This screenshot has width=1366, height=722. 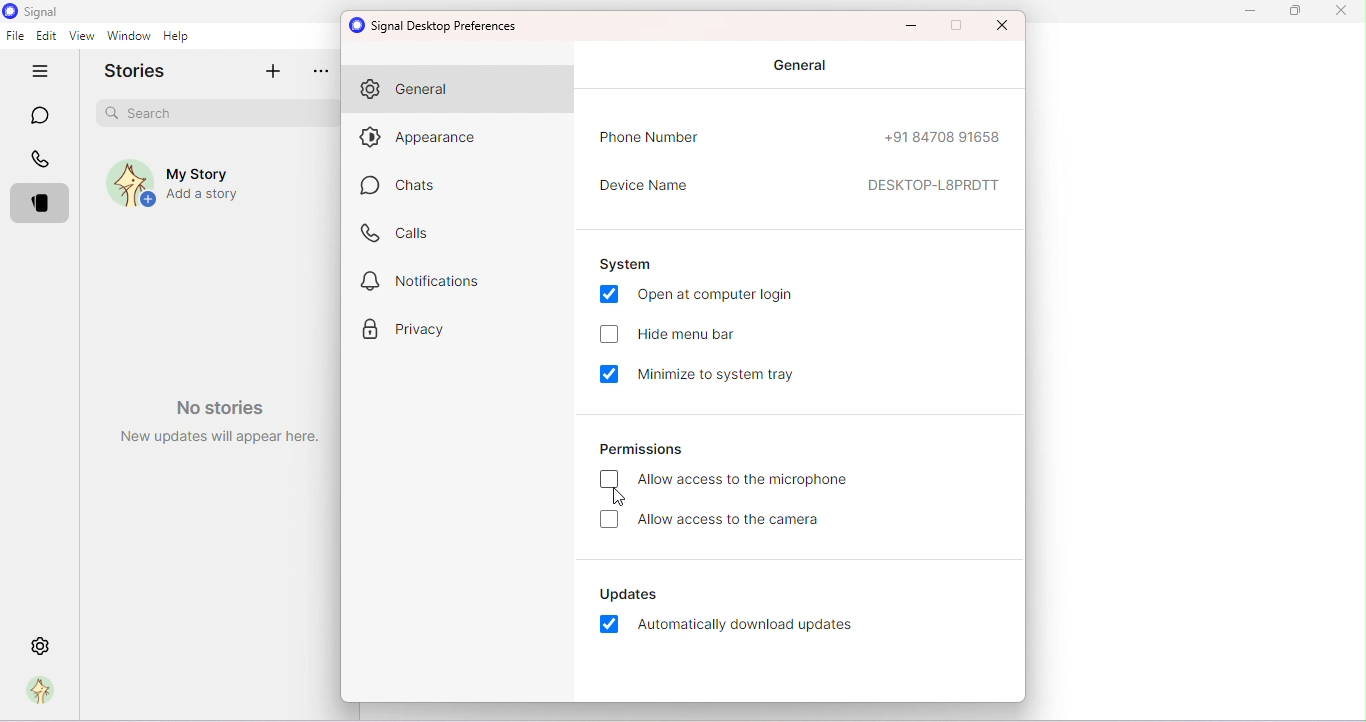 I want to click on Minimize, so click(x=1249, y=13).